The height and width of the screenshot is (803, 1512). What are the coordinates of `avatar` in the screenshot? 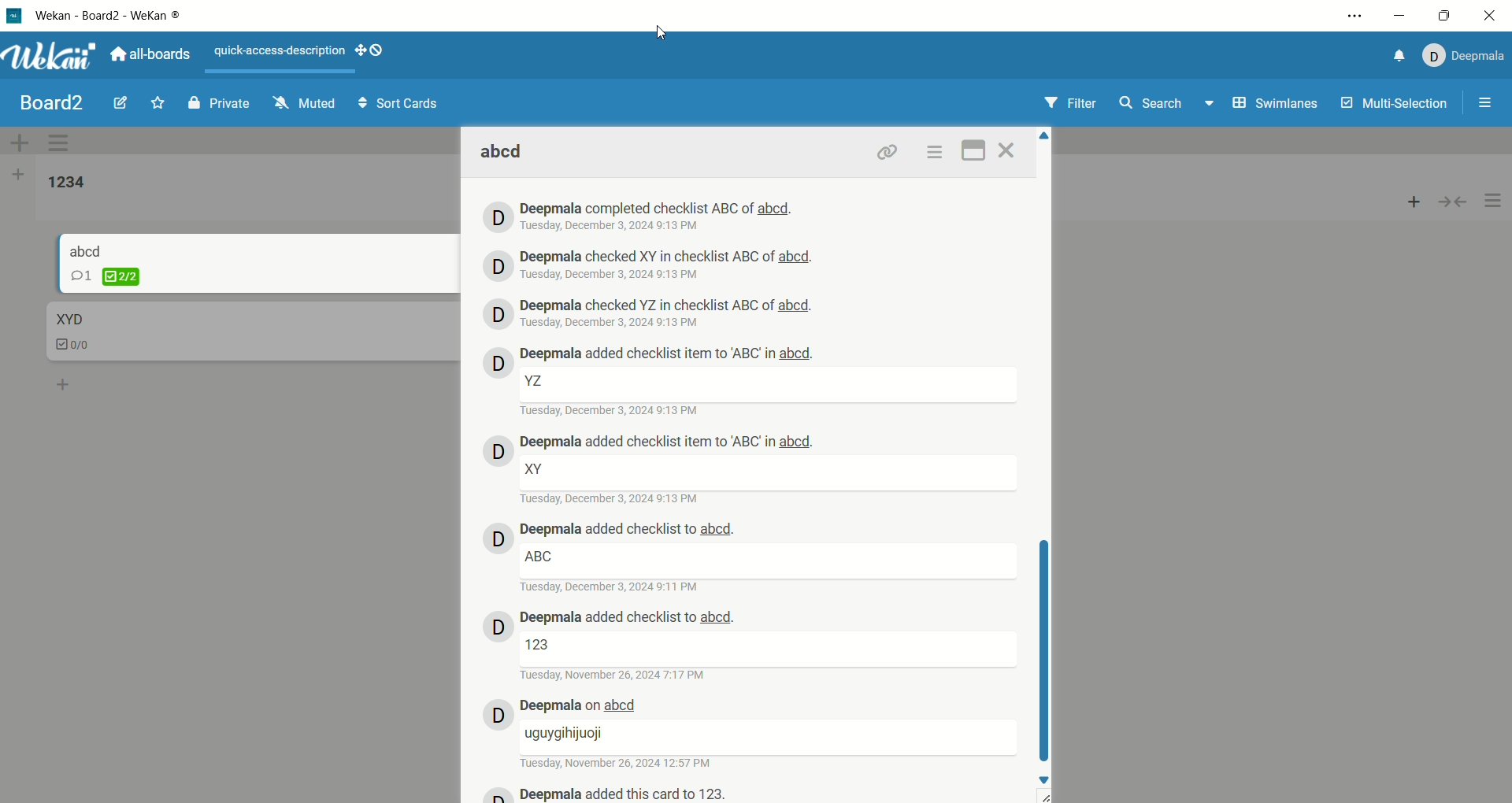 It's located at (498, 716).